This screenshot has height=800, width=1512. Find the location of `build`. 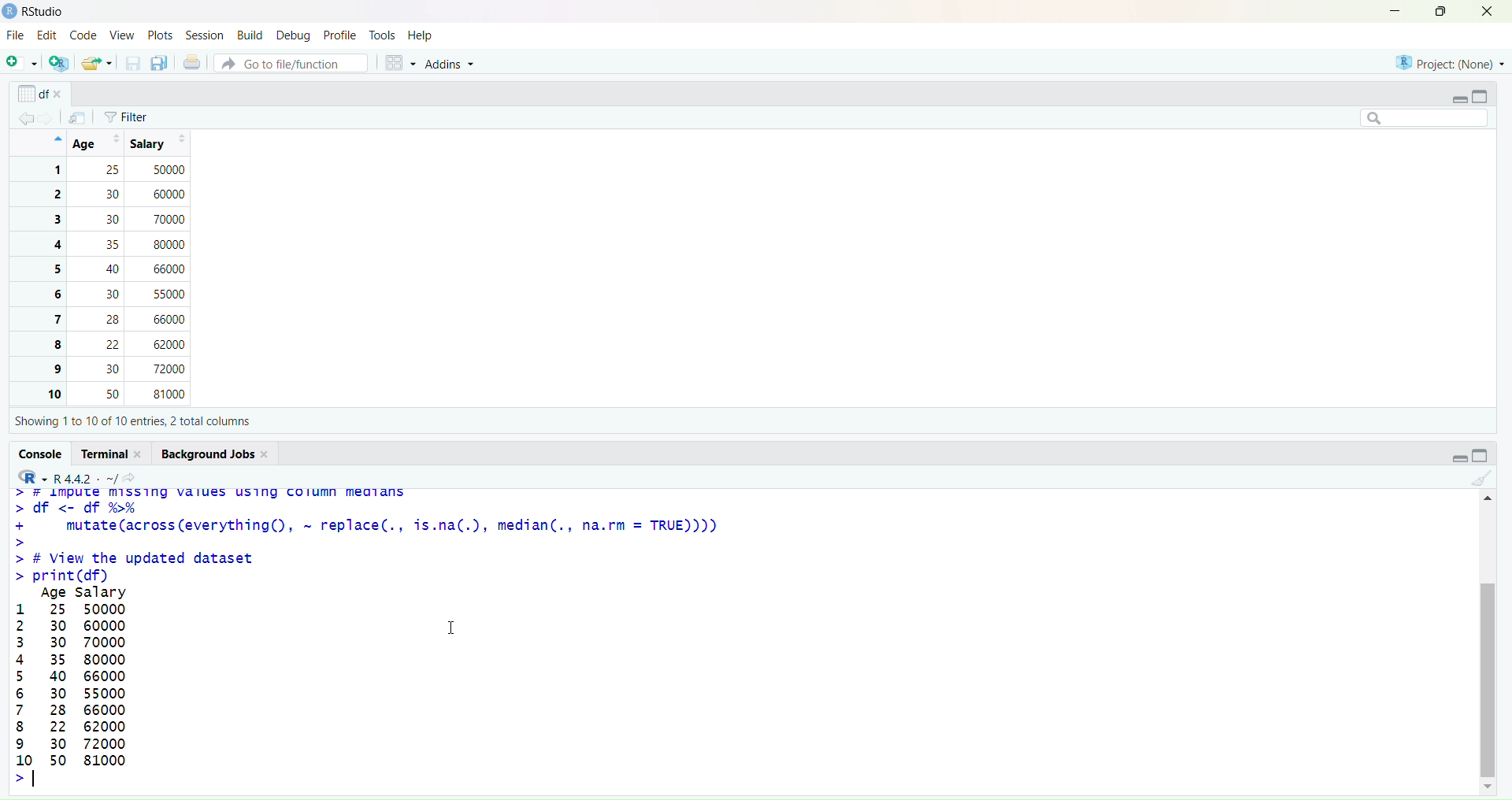

build is located at coordinates (250, 35).